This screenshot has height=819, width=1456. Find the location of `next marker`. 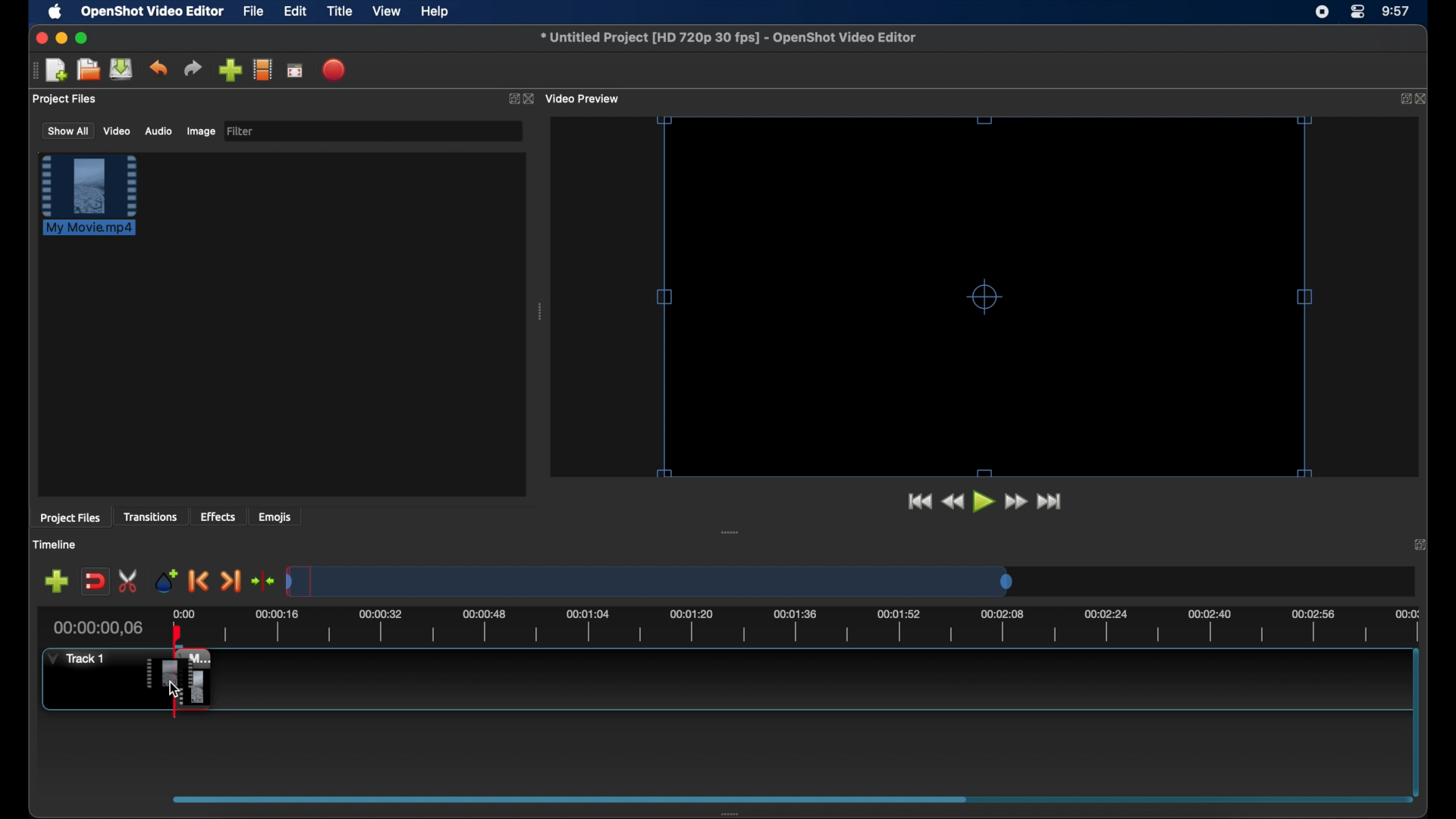

next marker is located at coordinates (231, 582).